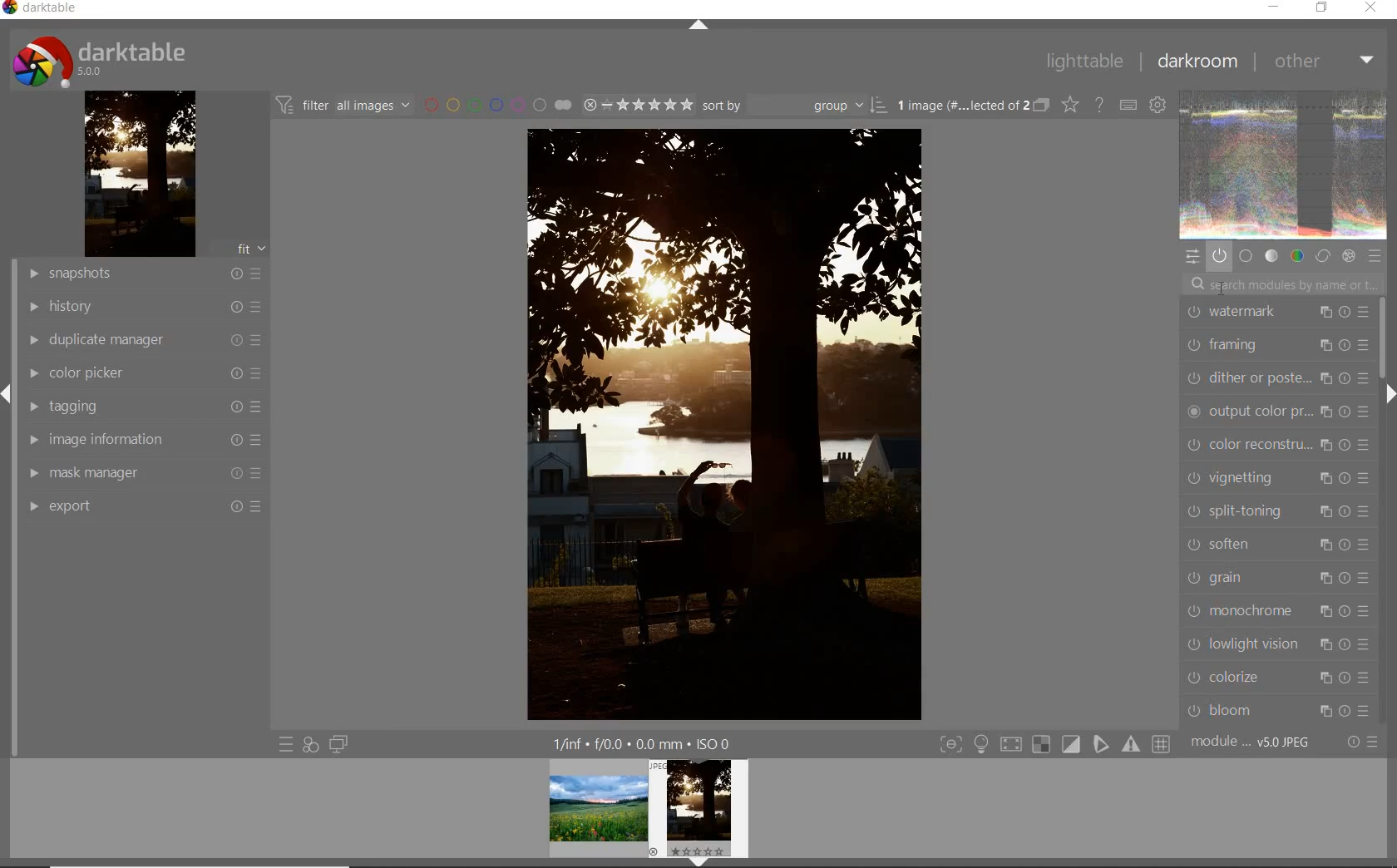  What do you see at coordinates (1054, 746) in the screenshot?
I see `toggle modes` at bounding box center [1054, 746].